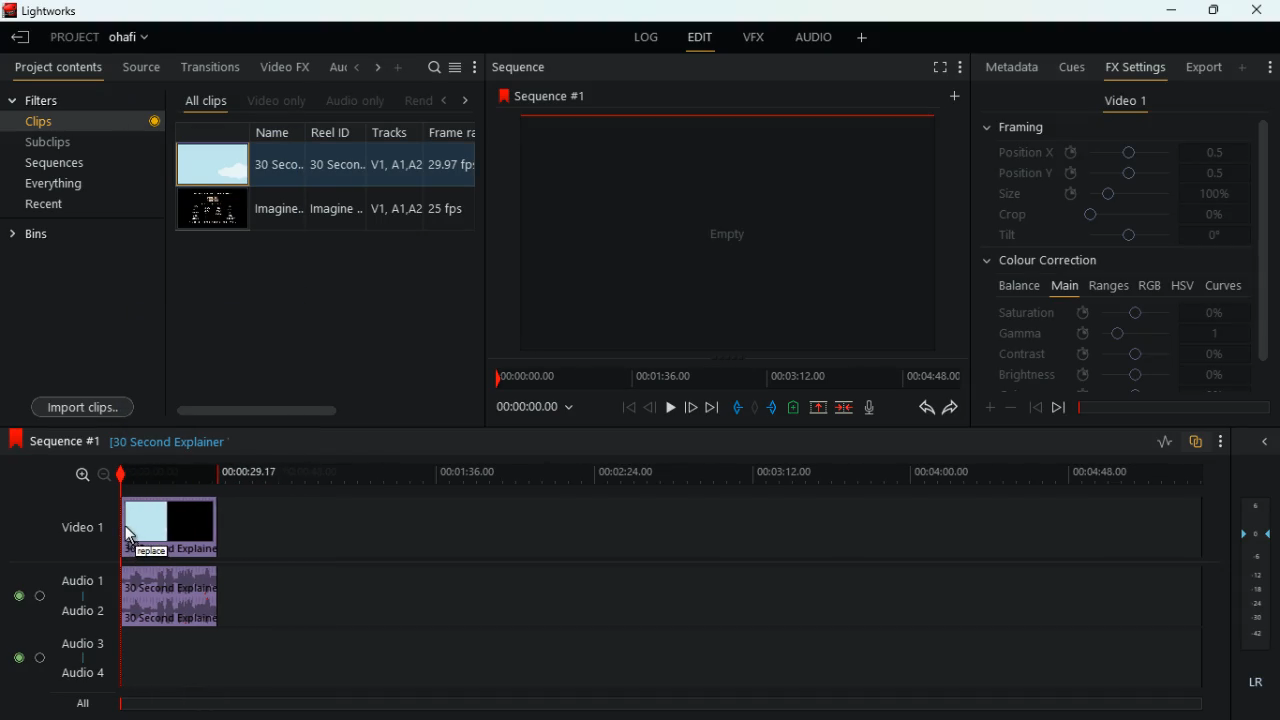 The height and width of the screenshot is (720, 1280). I want to click on minus, so click(1010, 407).